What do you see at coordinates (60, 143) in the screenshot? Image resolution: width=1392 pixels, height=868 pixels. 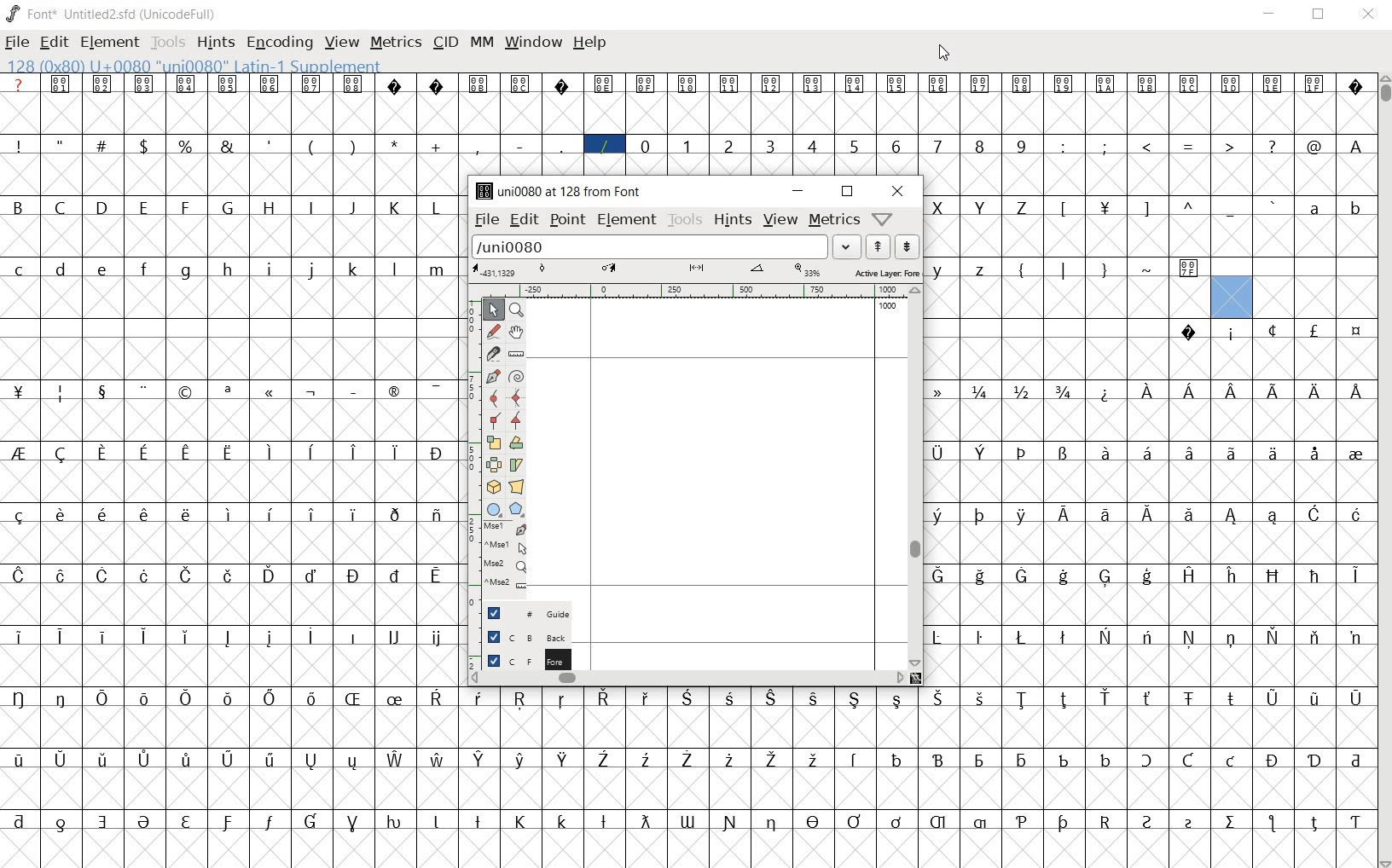 I see `glyph` at bounding box center [60, 143].